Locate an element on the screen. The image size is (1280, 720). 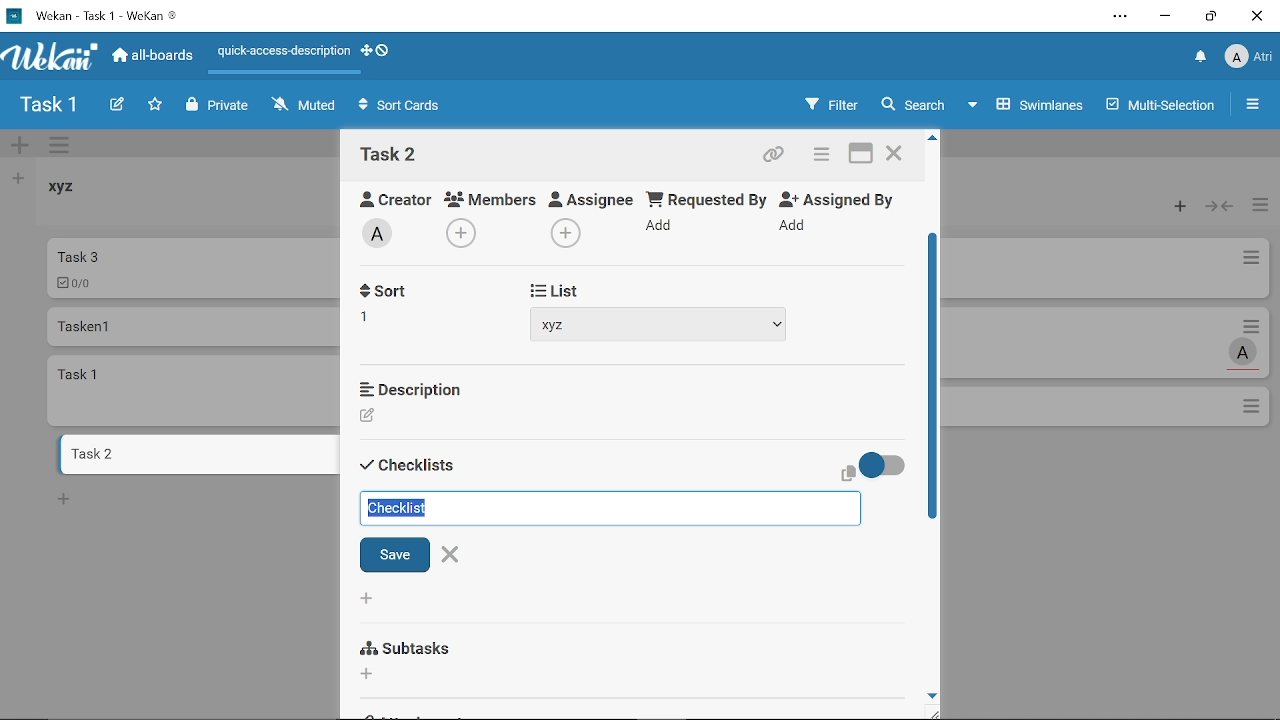
Task assigned to is located at coordinates (1245, 352).